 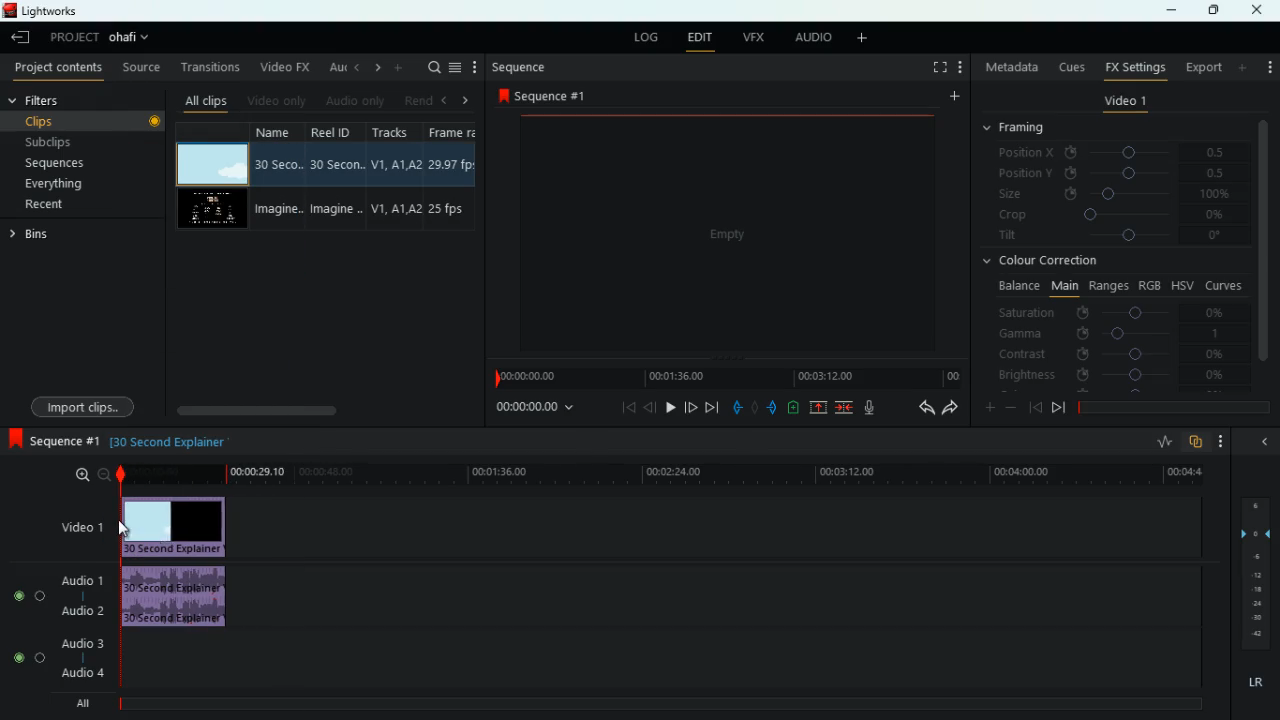 I want to click on timeline, so click(x=1170, y=405).